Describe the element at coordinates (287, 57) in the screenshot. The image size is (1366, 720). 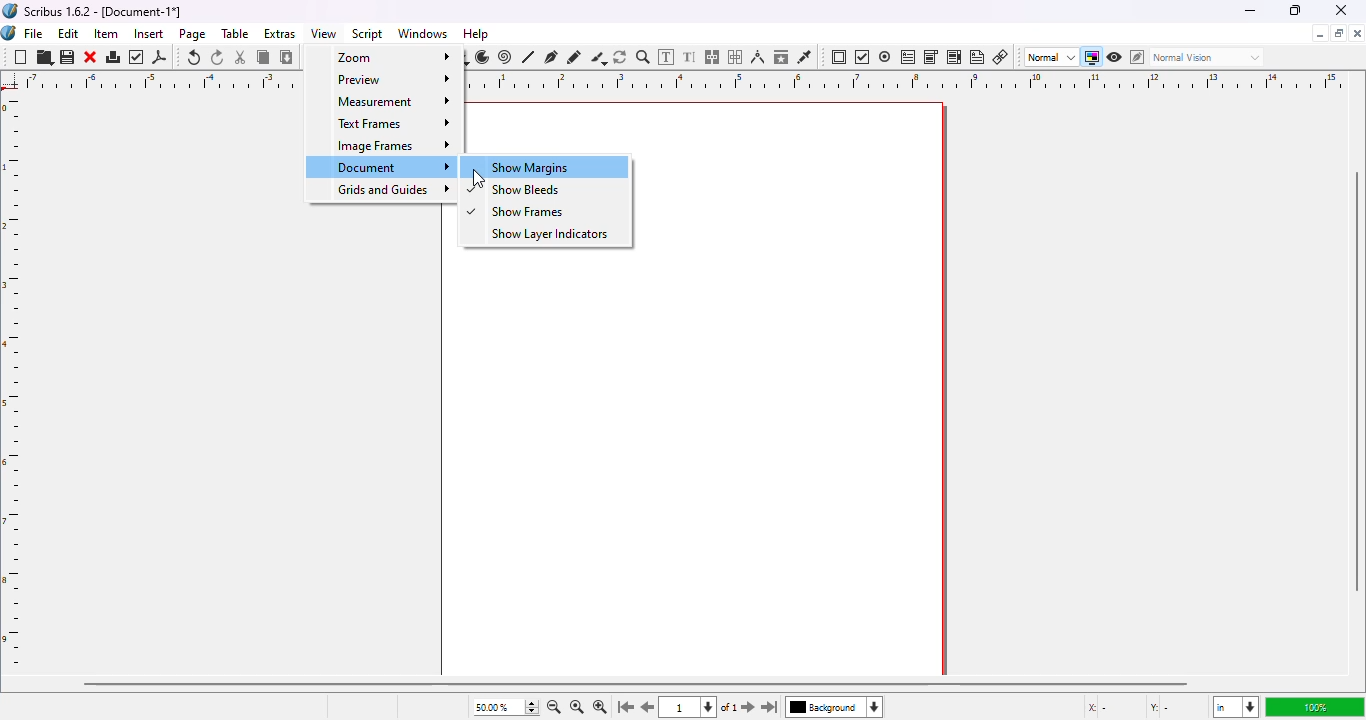
I see `paste` at that location.